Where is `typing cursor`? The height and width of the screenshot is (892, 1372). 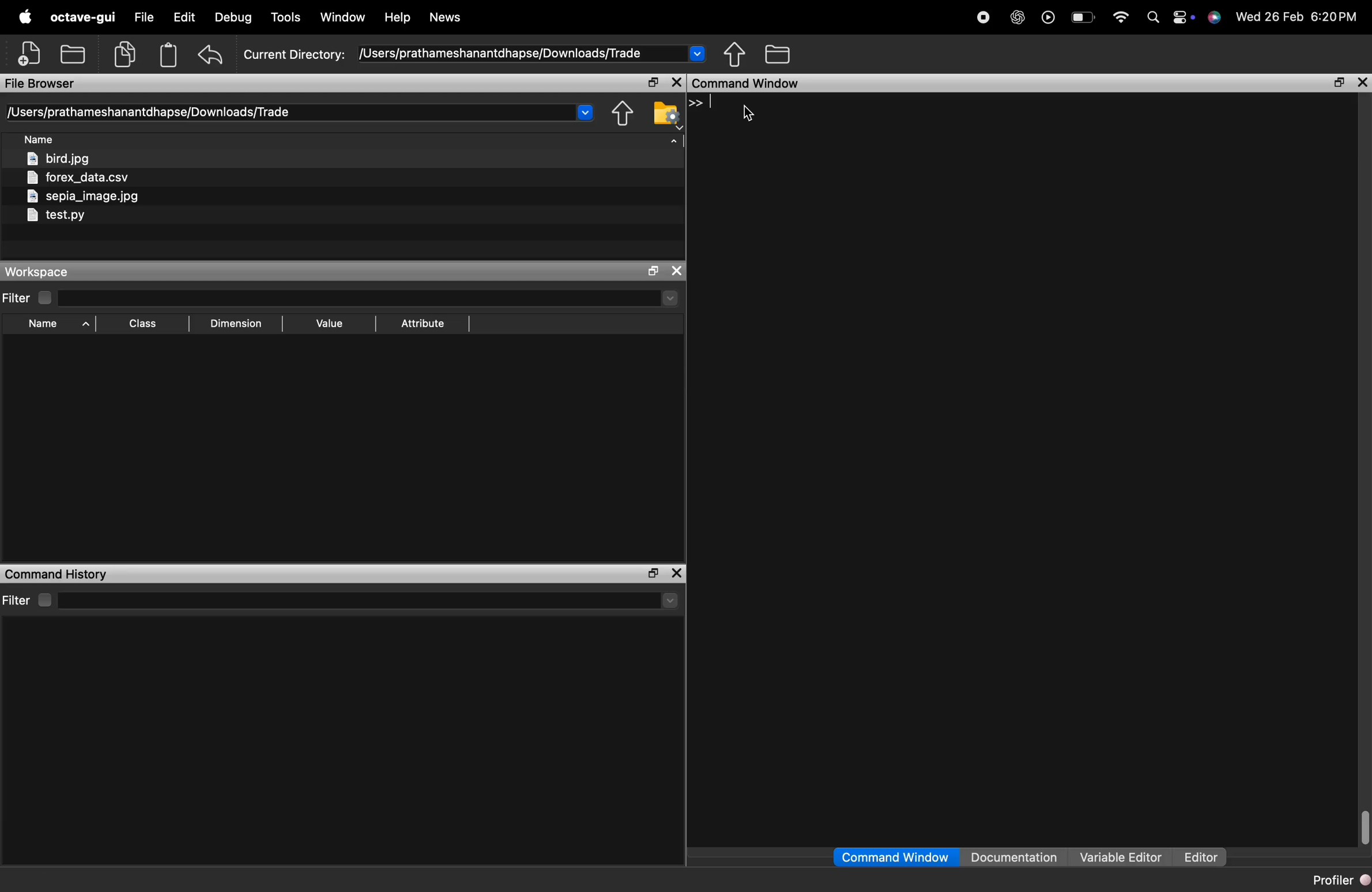
typing cursor is located at coordinates (704, 104).